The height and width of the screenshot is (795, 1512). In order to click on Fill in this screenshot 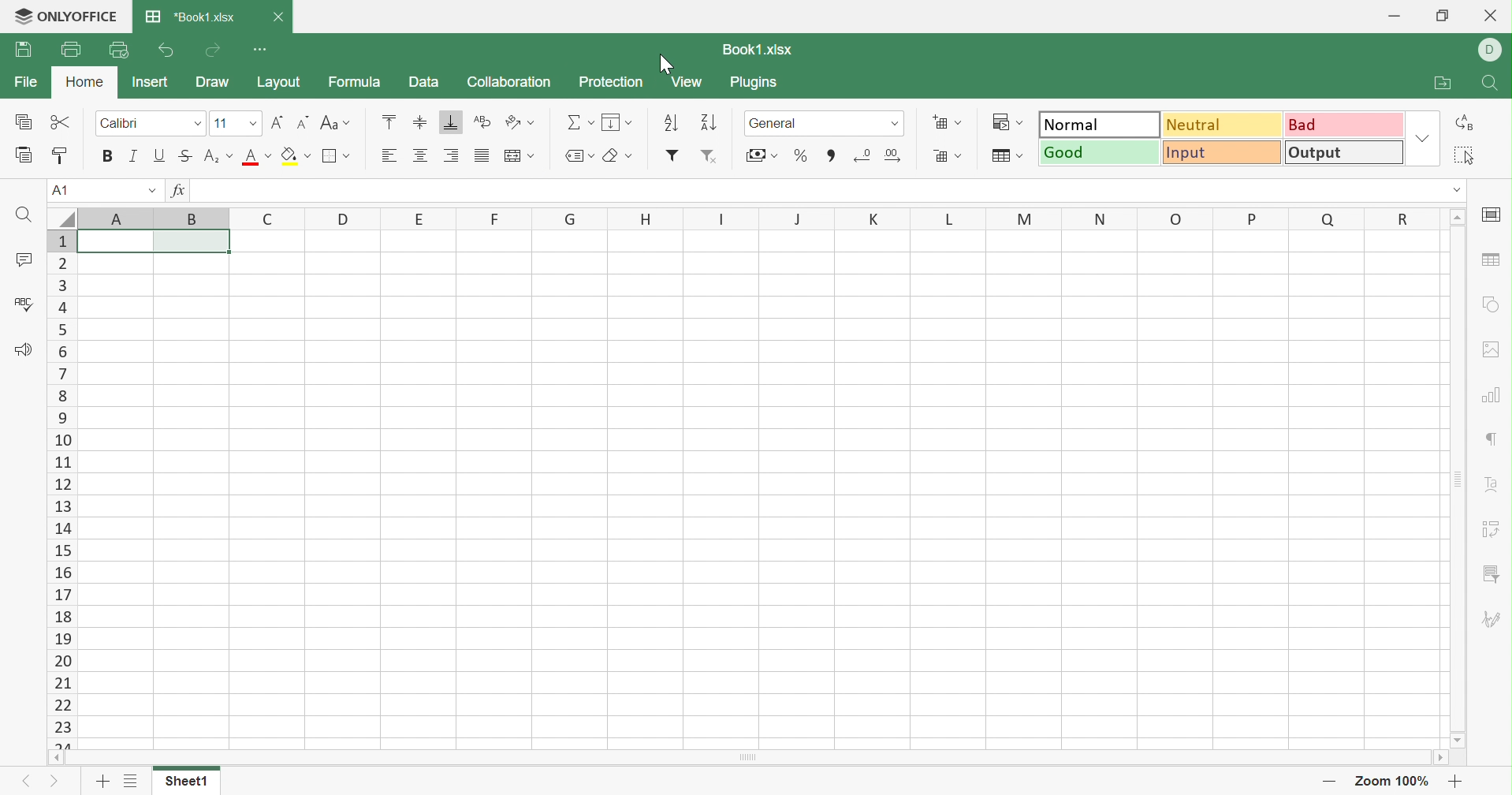, I will do `click(617, 123)`.